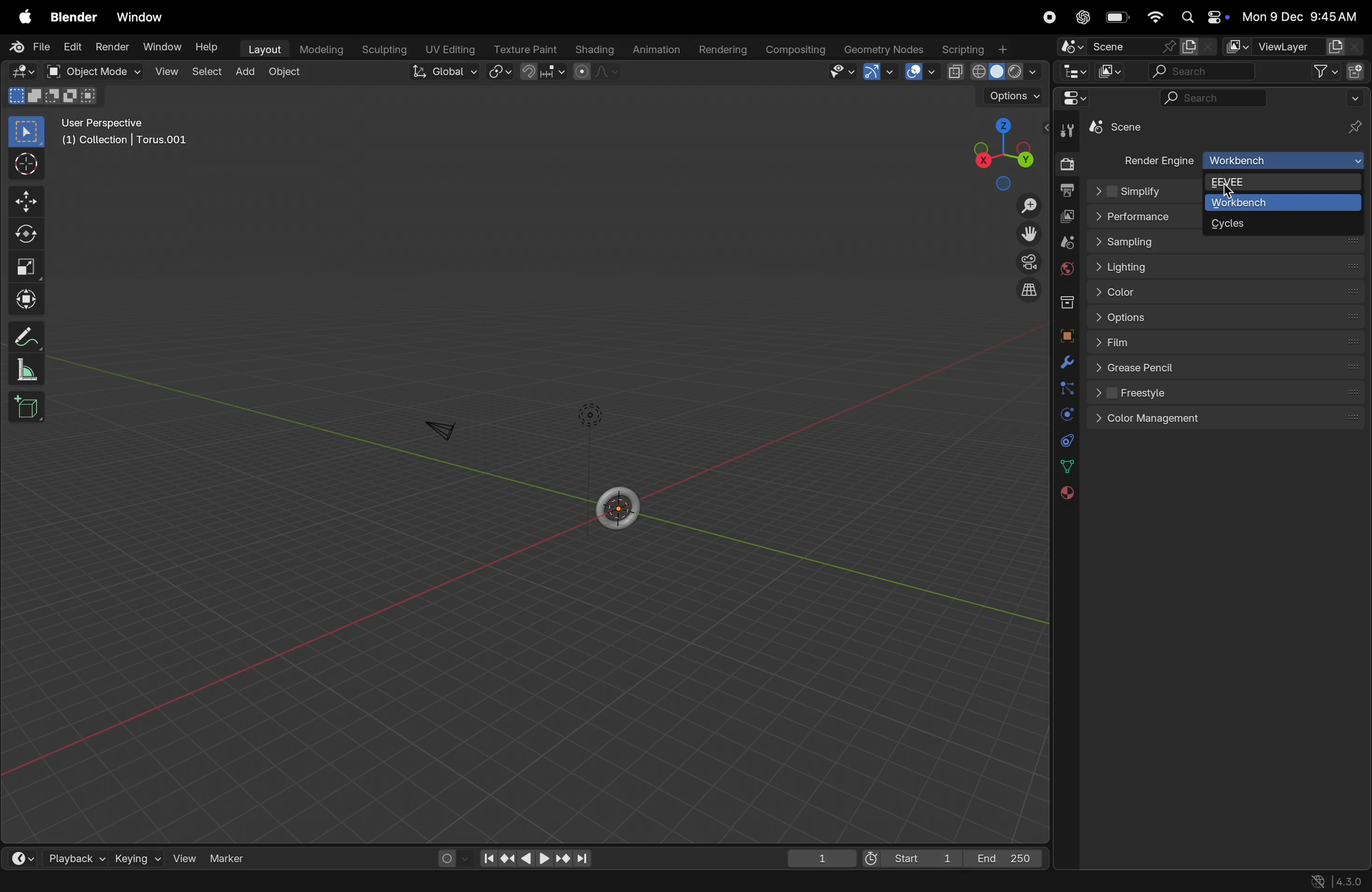 The image size is (1372, 892). What do you see at coordinates (450, 48) in the screenshot?
I see `Uv editing` at bounding box center [450, 48].